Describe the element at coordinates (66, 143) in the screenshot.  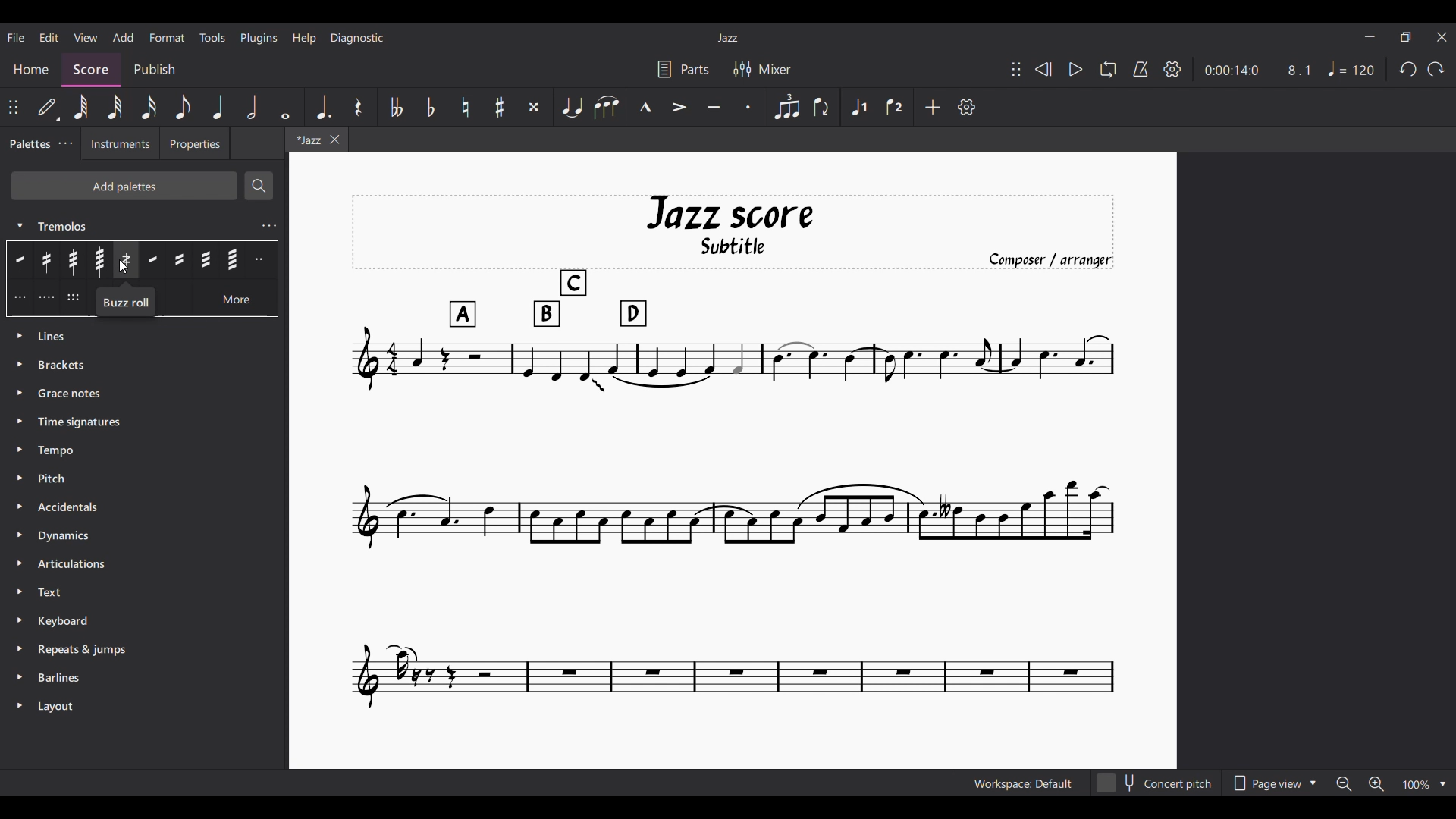
I see `Palette settings` at that location.